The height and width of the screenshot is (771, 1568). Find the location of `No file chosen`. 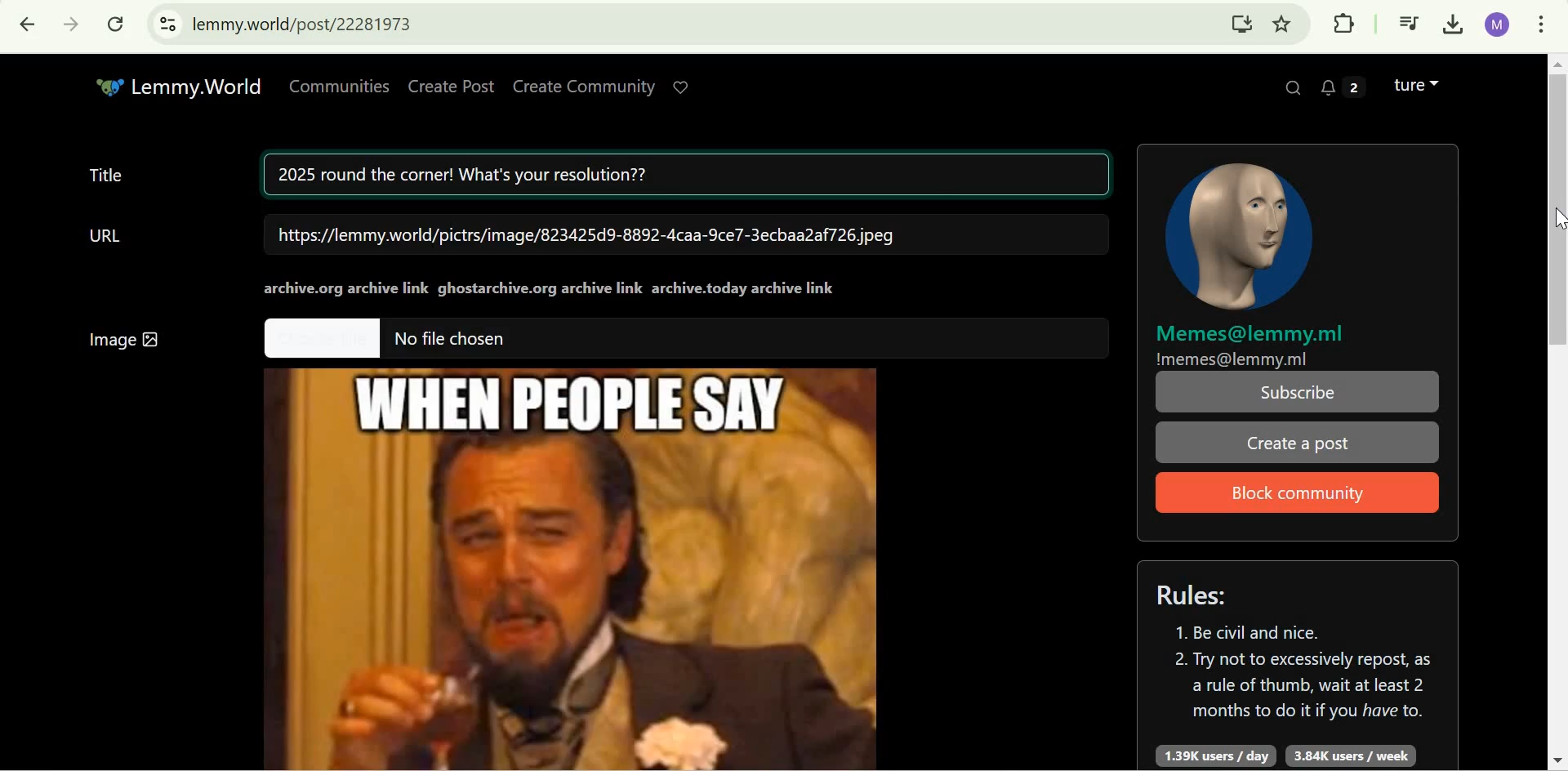

No file chosen is located at coordinates (453, 339).